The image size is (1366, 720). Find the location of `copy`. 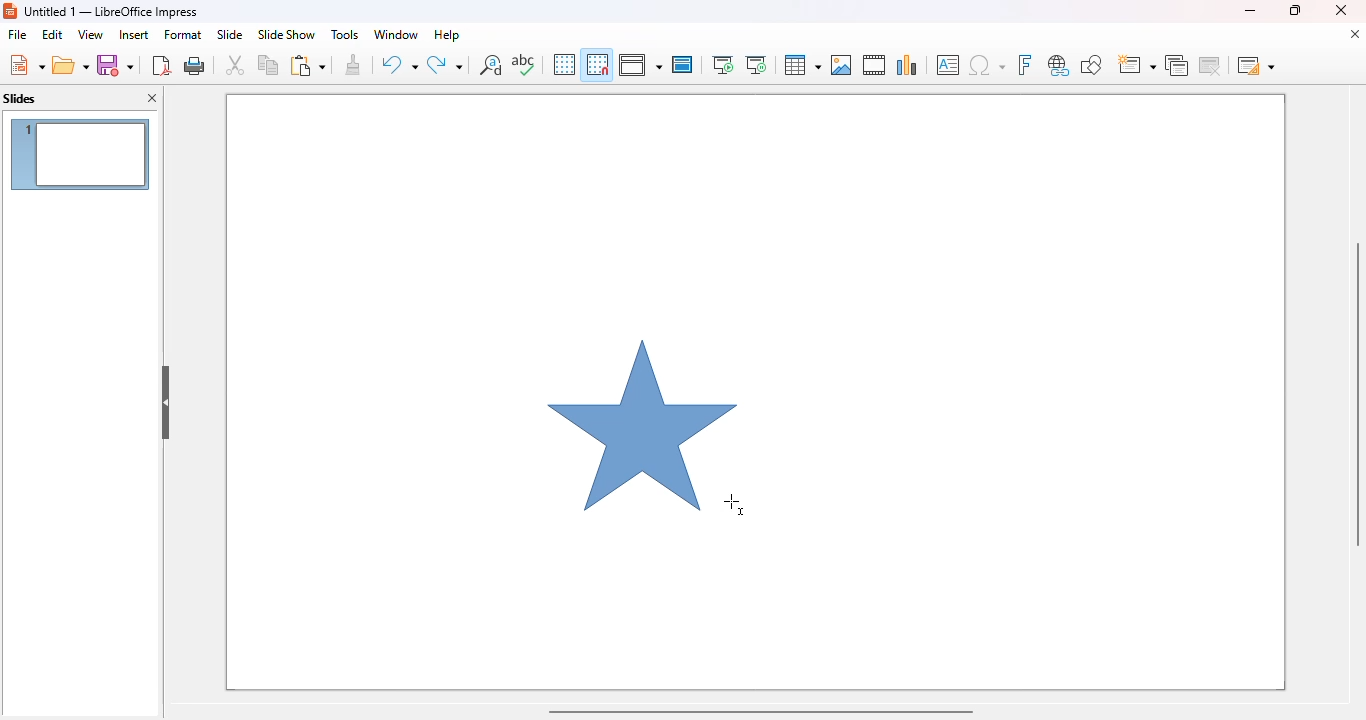

copy is located at coordinates (268, 64).